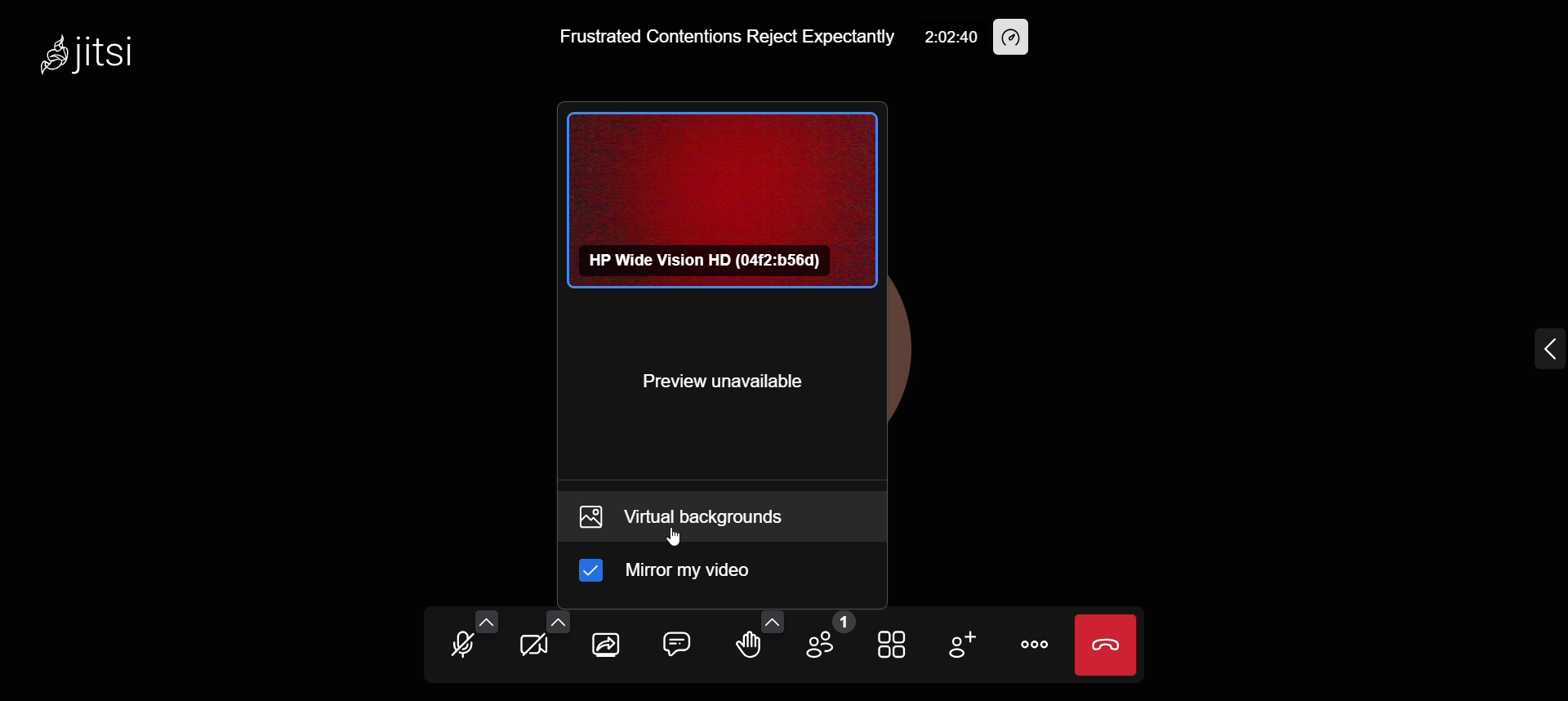 The height and width of the screenshot is (701, 1568). What do you see at coordinates (890, 644) in the screenshot?
I see `toggle view` at bounding box center [890, 644].